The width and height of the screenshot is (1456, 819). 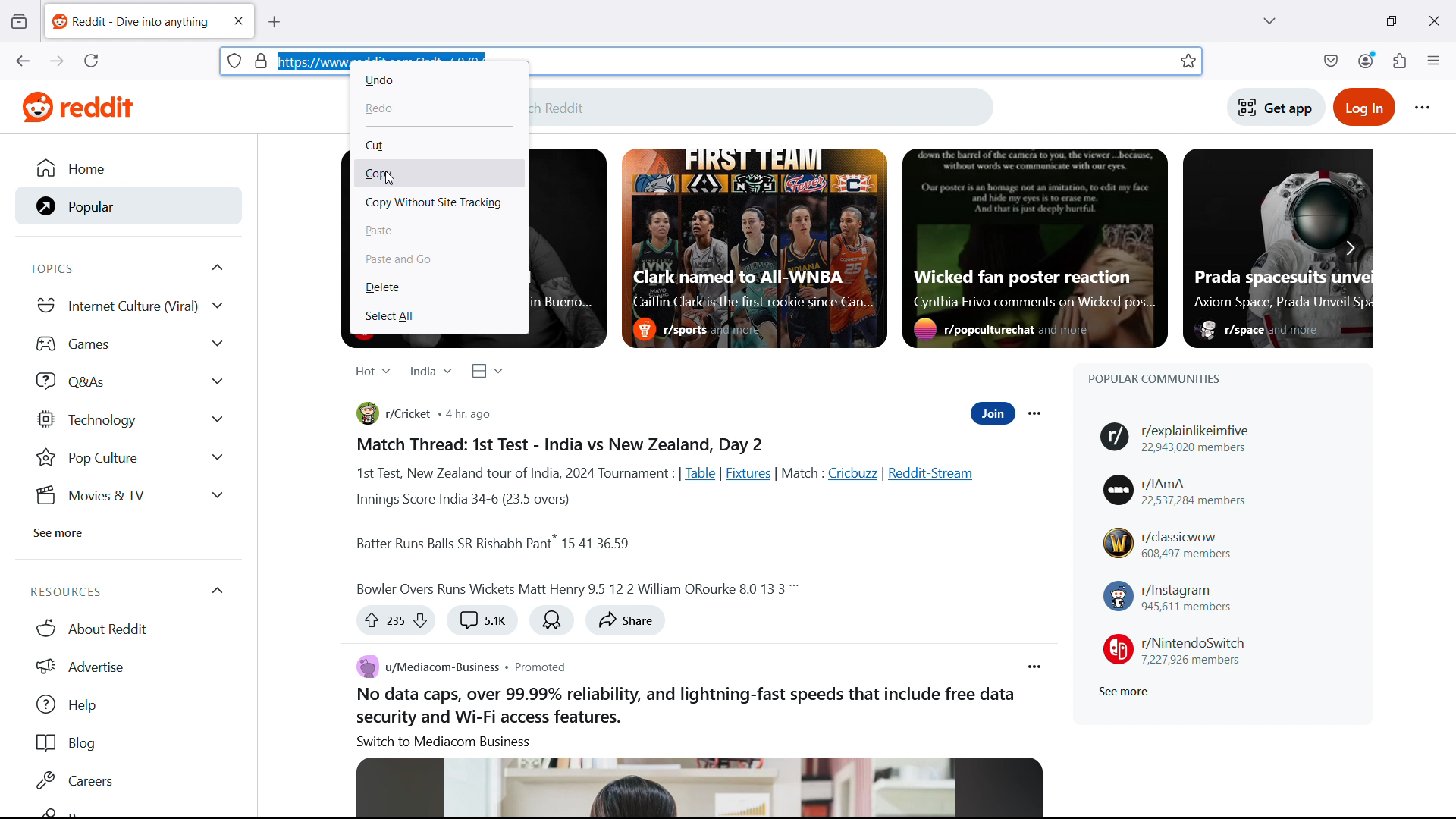 I want to click on close tab, so click(x=238, y=20).